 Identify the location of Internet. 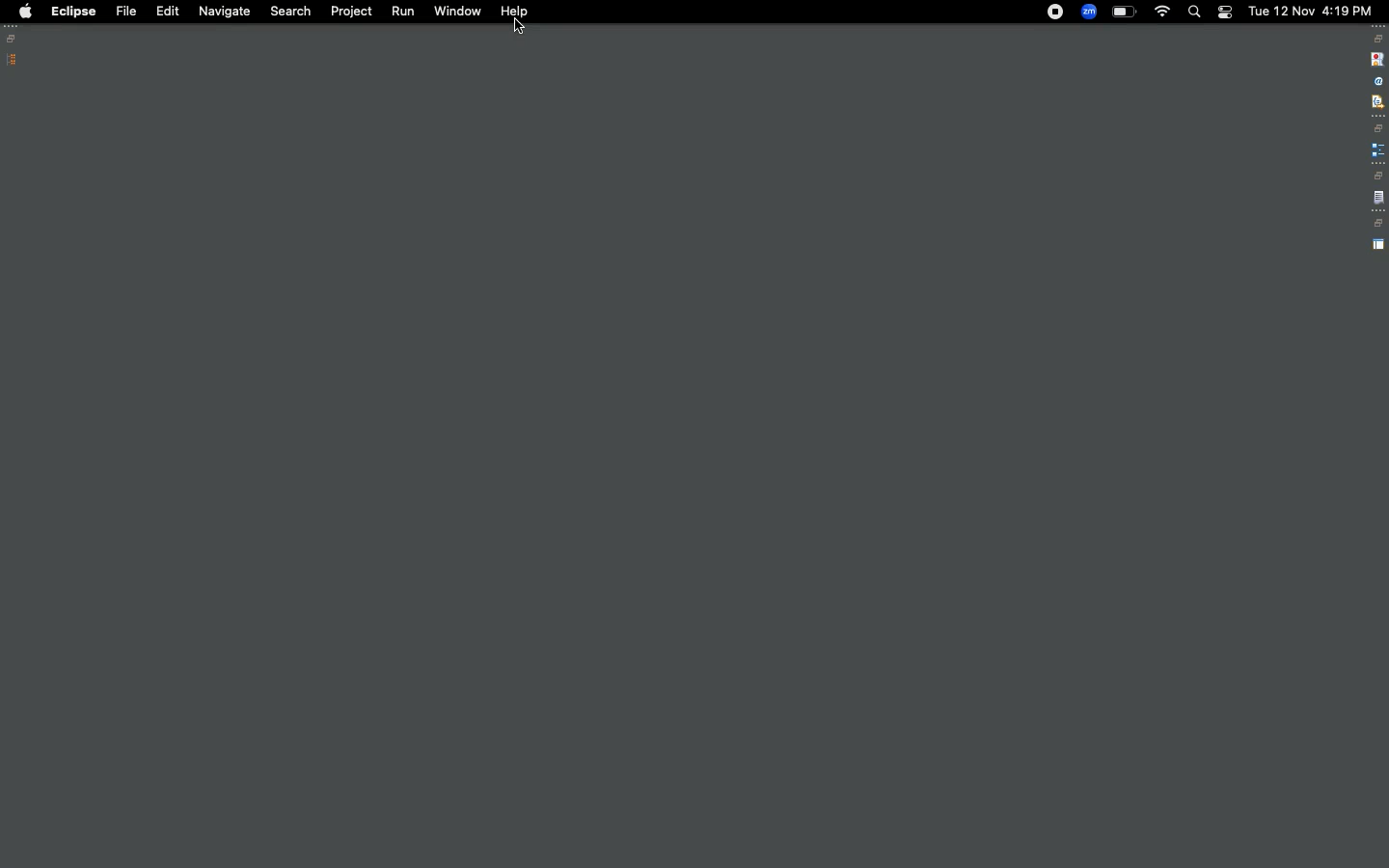
(1162, 14).